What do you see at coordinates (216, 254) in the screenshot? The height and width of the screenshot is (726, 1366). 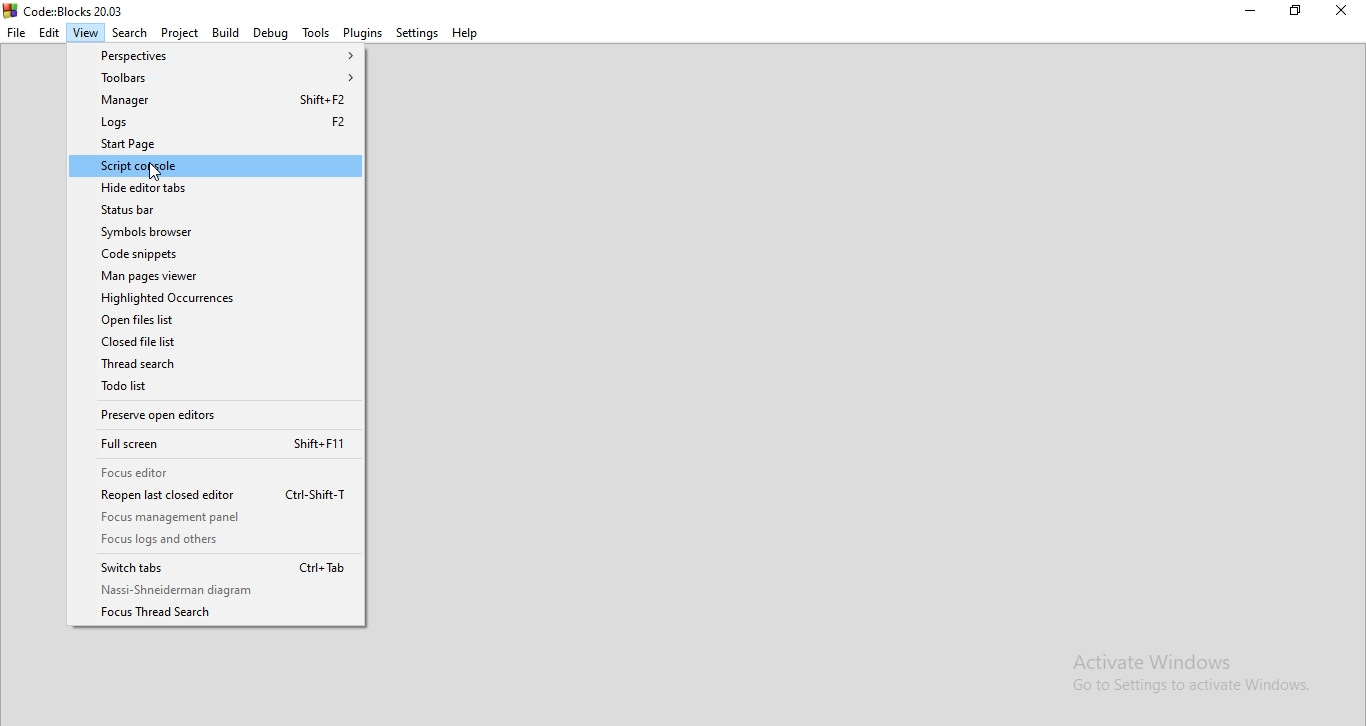 I see `Code snippets` at bounding box center [216, 254].